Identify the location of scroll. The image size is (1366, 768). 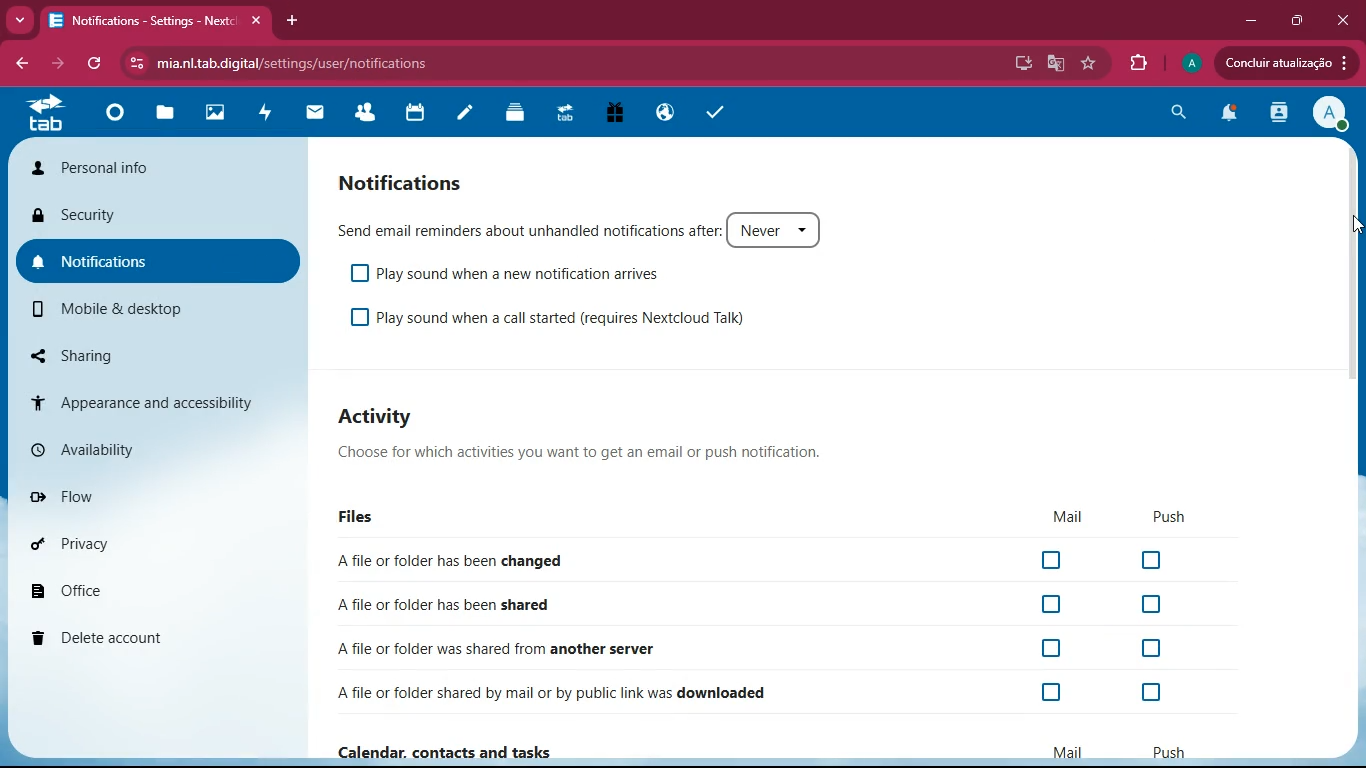
(1348, 279).